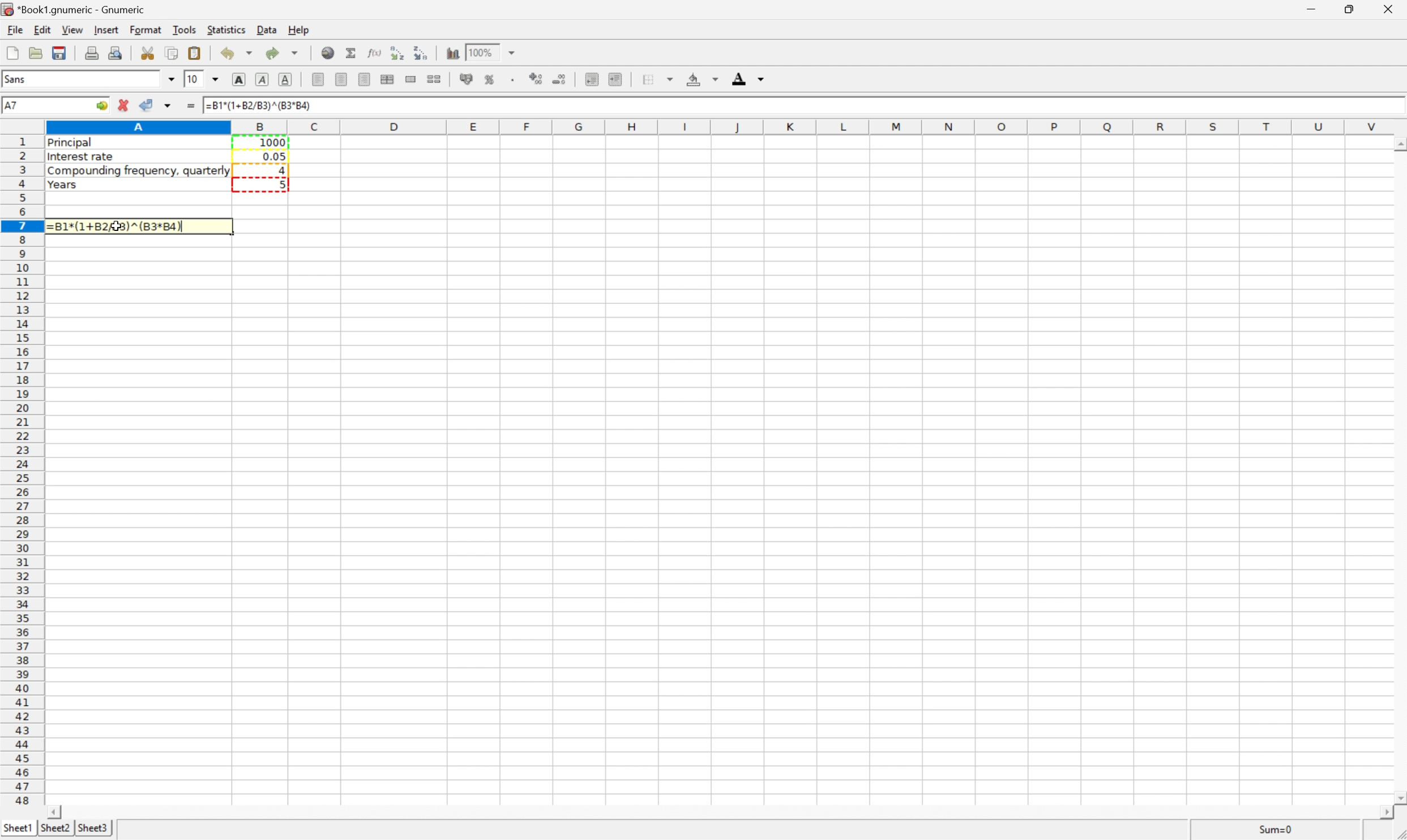 Image resolution: width=1407 pixels, height=840 pixels. Describe the element at coordinates (1392, 9) in the screenshot. I see `close` at that location.